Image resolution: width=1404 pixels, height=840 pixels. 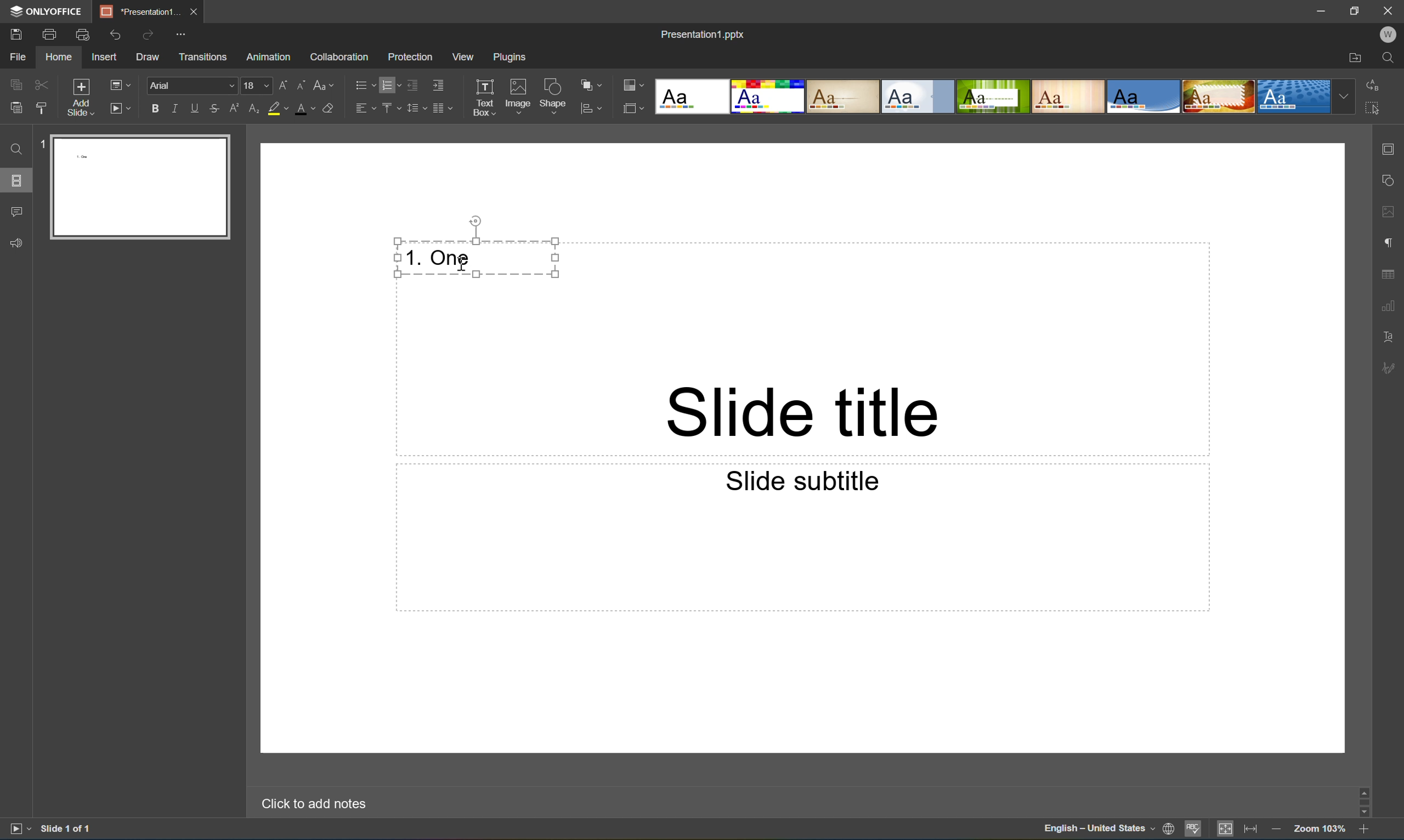 I want to click on Shape settings, so click(x=1392, y=181).